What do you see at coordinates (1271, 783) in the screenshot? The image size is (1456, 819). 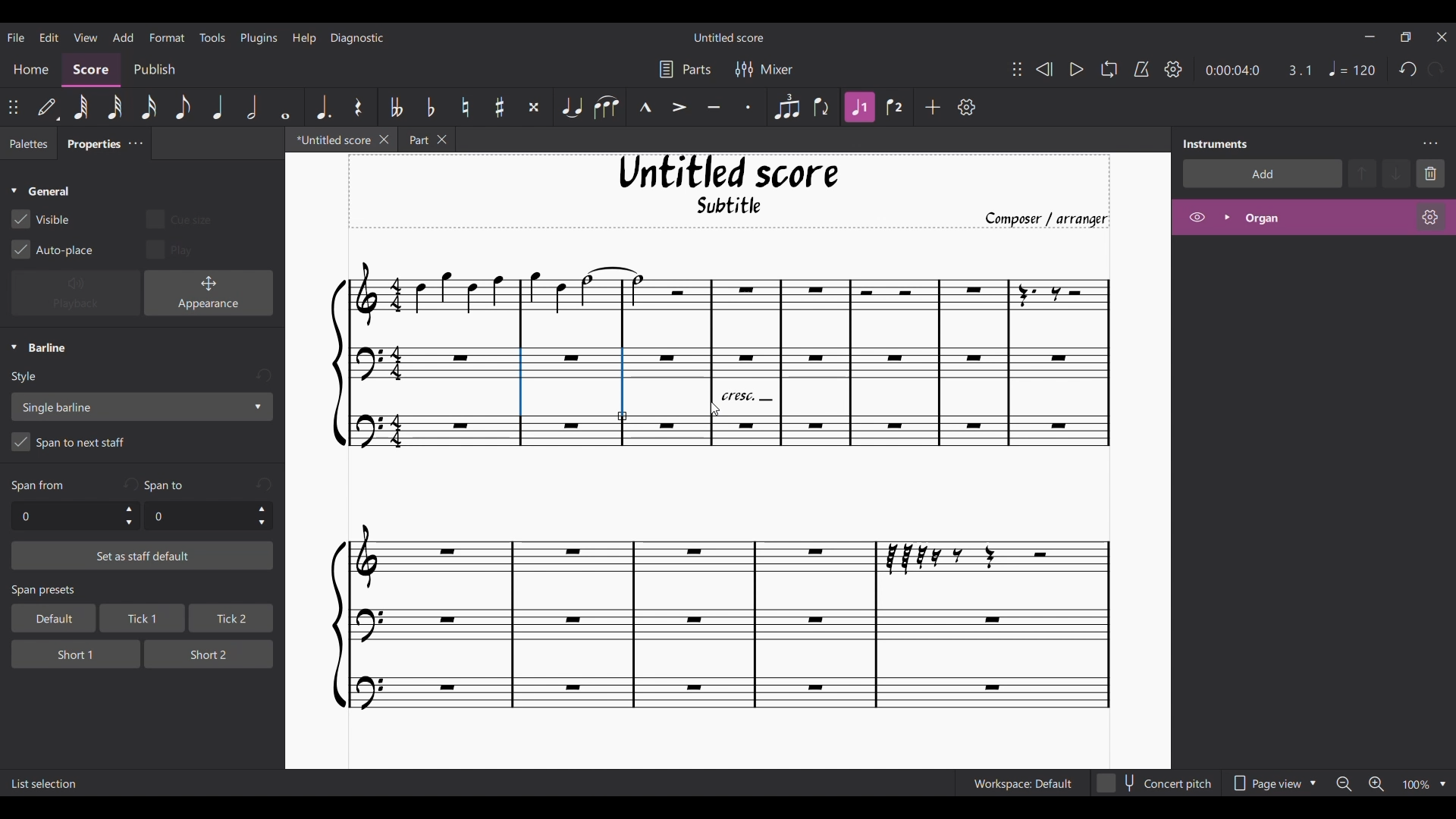 I see `Page view options` at bounding box center [1271, 783].